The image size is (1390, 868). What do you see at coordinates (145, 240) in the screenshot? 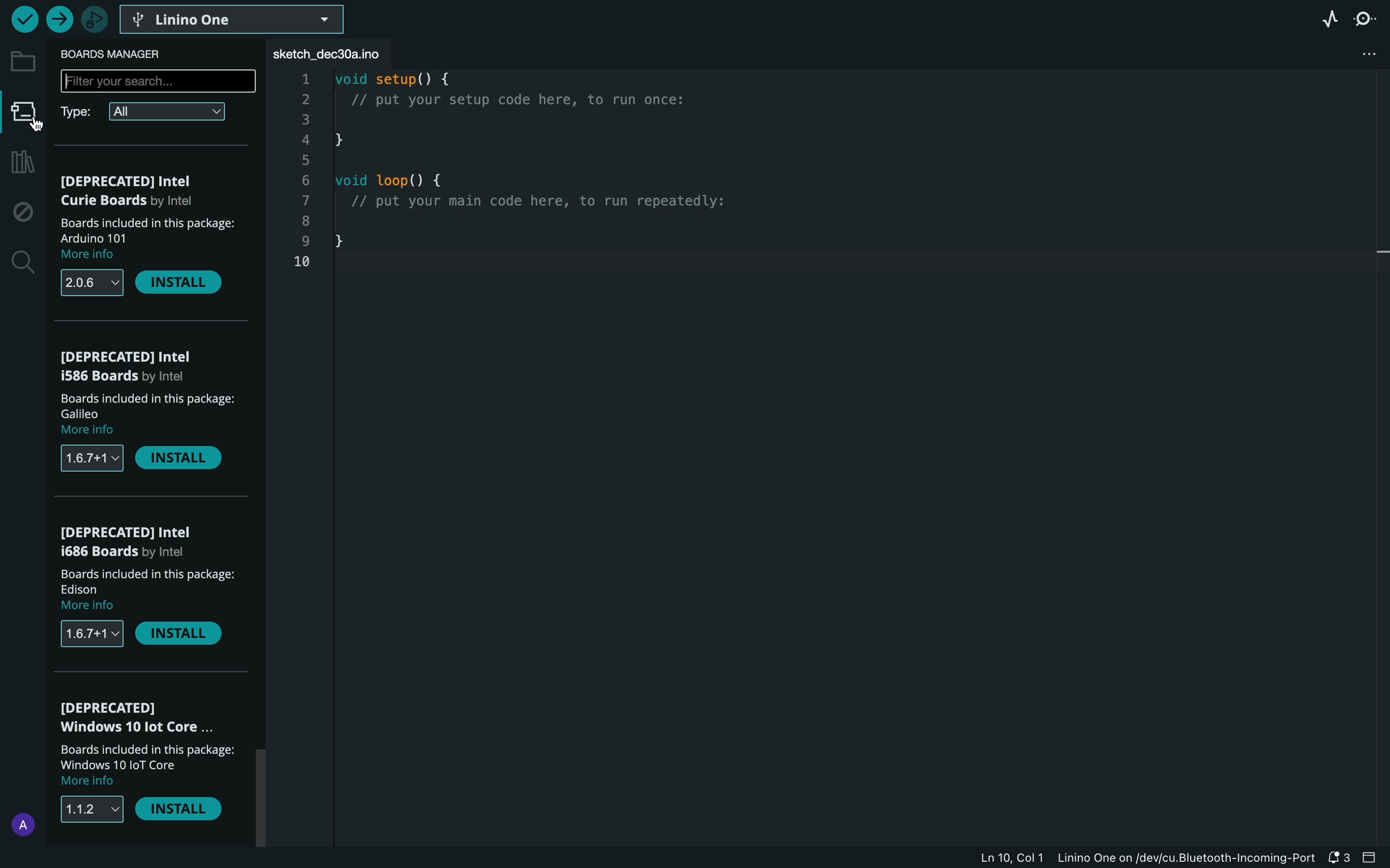
I see `description` at bounding box center [145, 240].